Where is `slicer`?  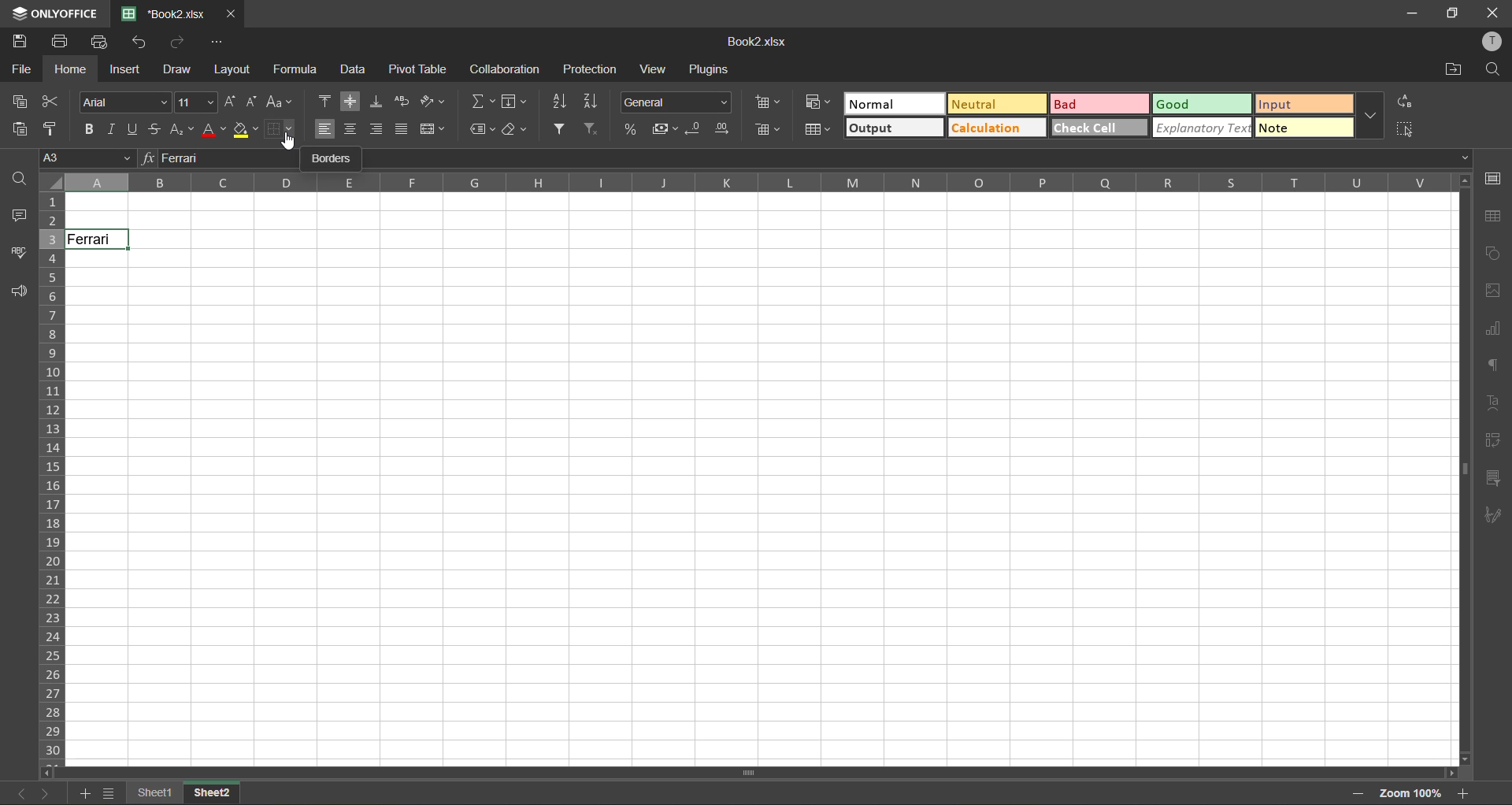 slicer is located at coordinates (1492, 476).